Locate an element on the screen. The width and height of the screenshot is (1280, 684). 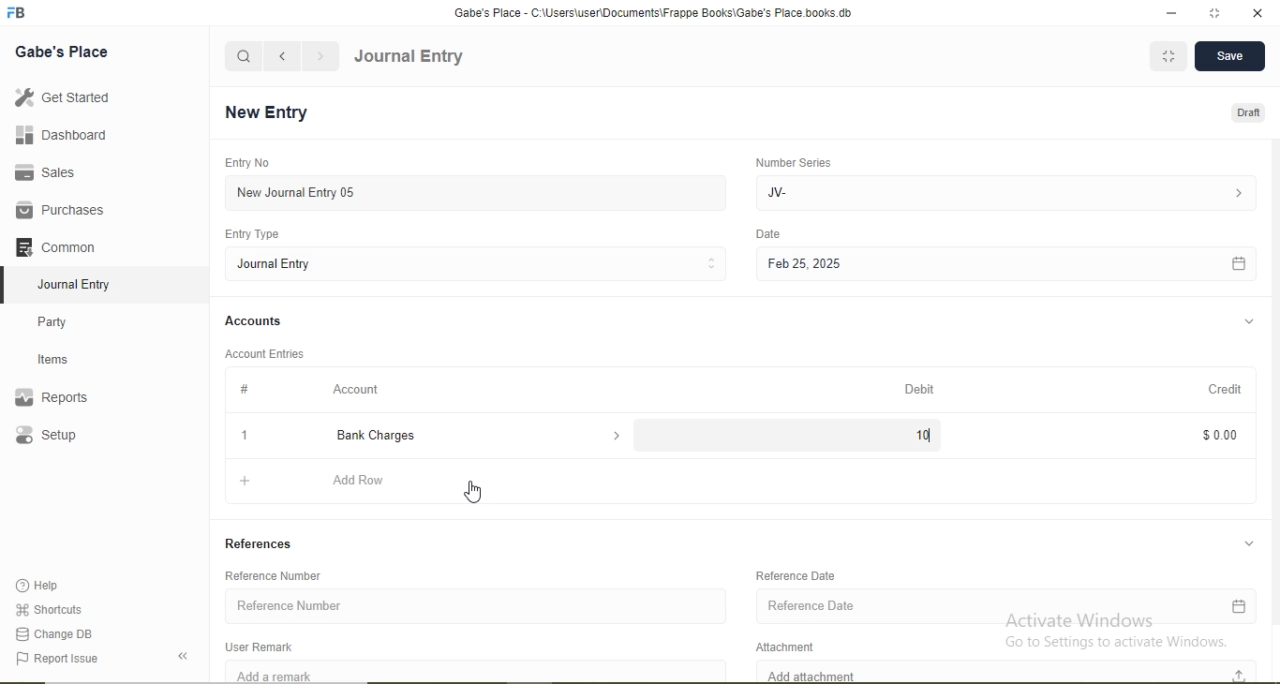
collapse/expand is located at coordinates (1249, 541).